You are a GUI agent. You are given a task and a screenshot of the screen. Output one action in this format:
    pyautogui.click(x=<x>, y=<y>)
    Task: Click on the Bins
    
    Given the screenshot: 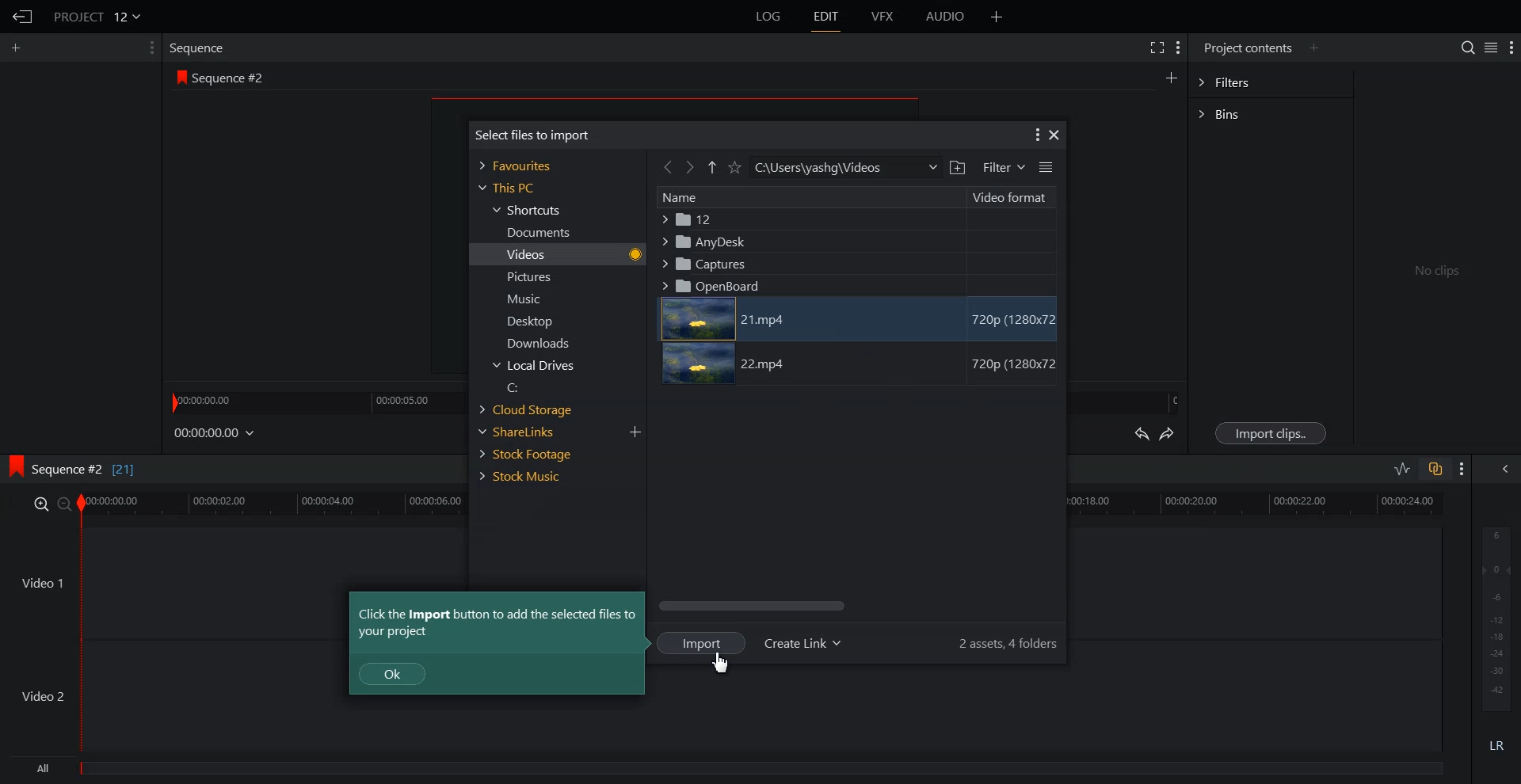 What is the action you would take?
    pyautogui.click(x=1271, y=112)
    